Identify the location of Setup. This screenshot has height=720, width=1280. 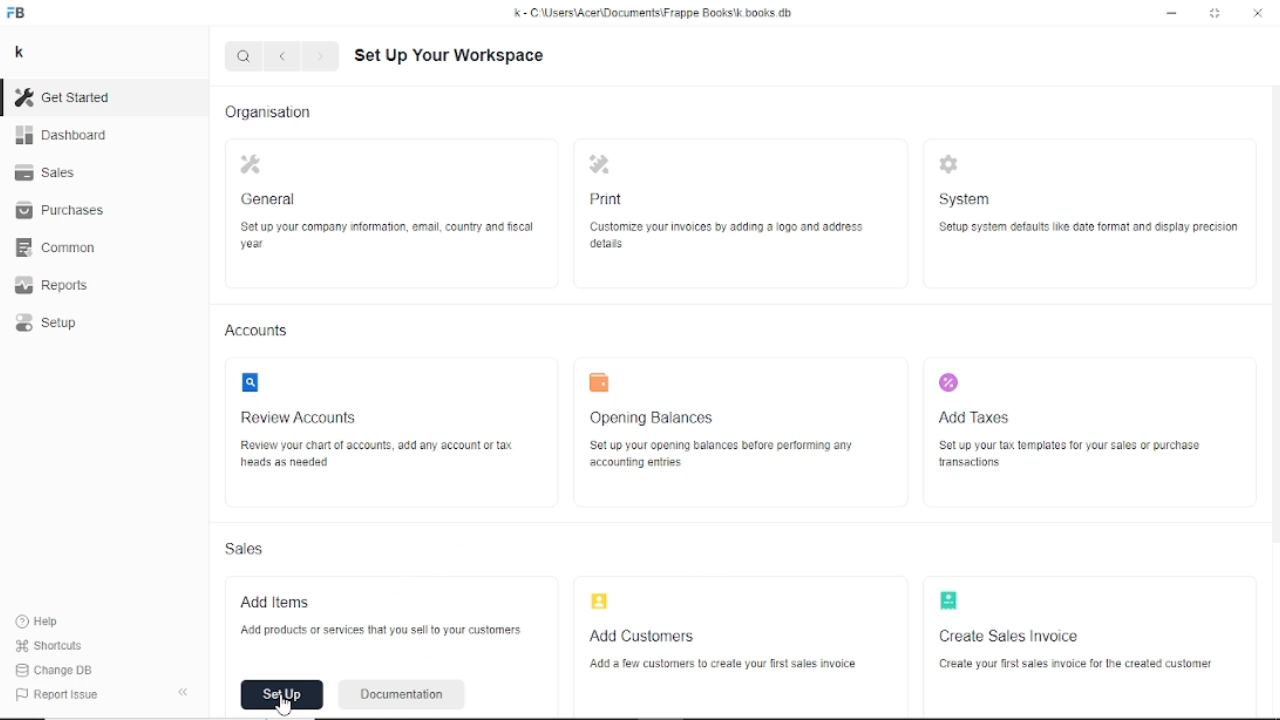
(49, 324).